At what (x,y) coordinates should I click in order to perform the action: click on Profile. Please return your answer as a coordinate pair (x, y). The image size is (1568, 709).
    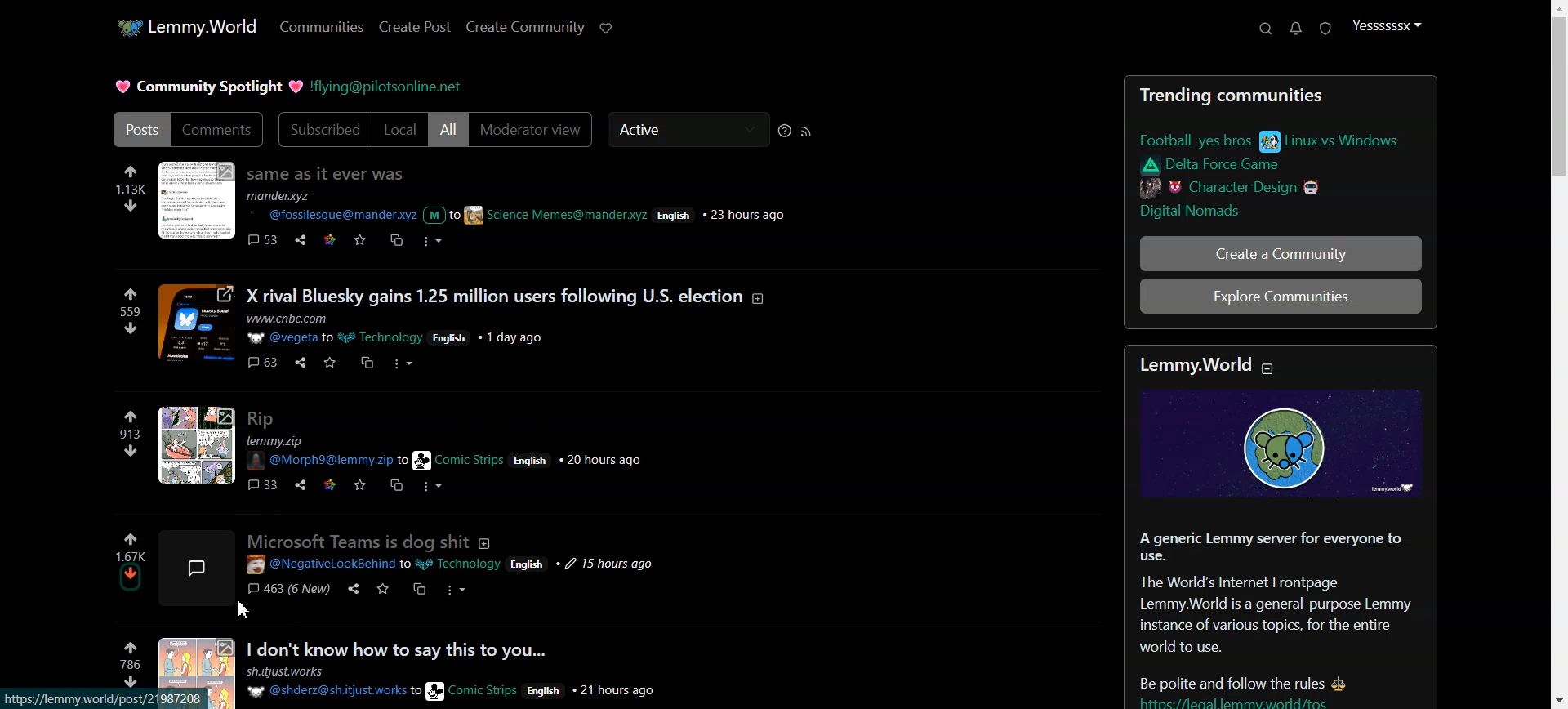
    Looking at the image, I should click on (1385, 25).